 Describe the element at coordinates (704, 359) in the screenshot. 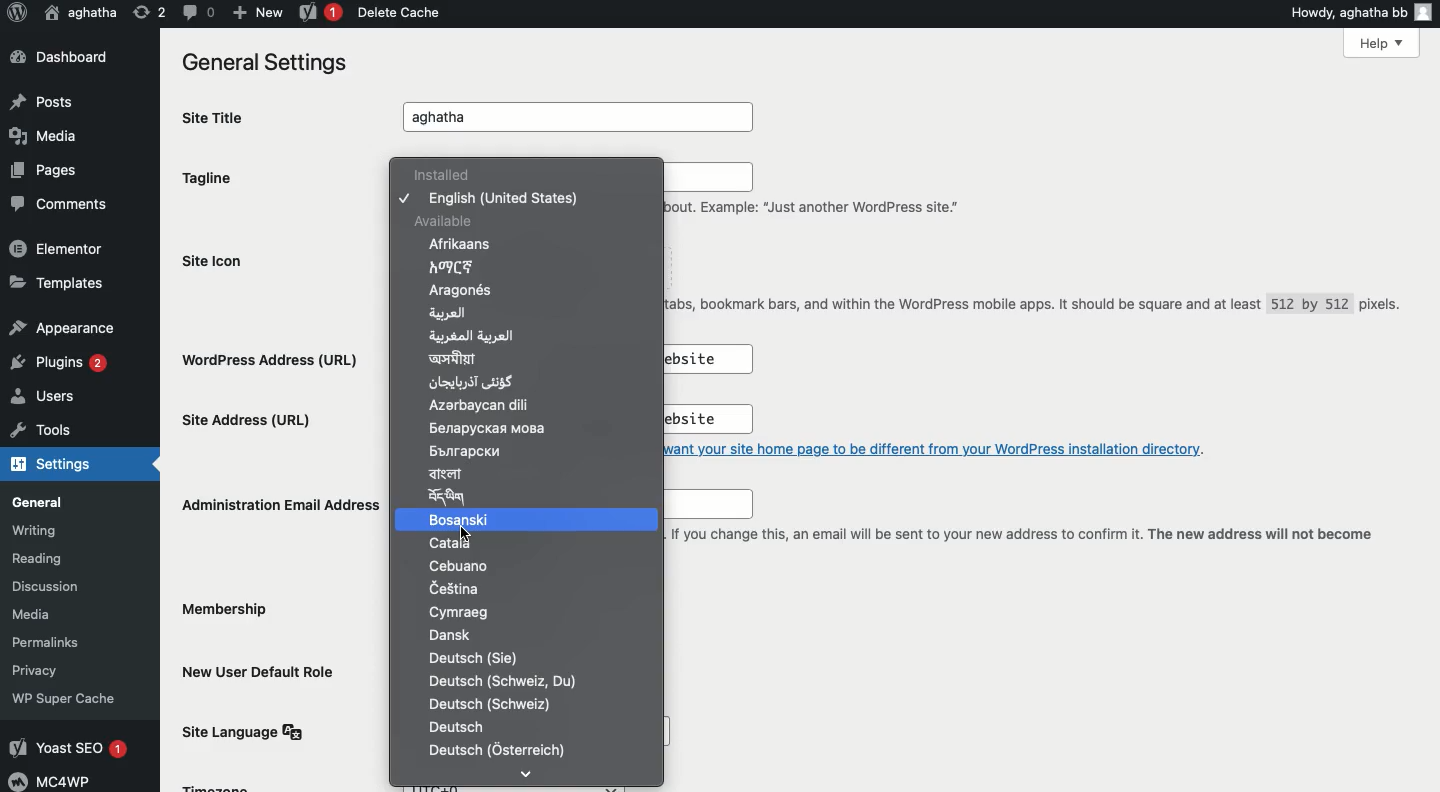

I see `http://localhost :8888/aghathawebsite` at that location.